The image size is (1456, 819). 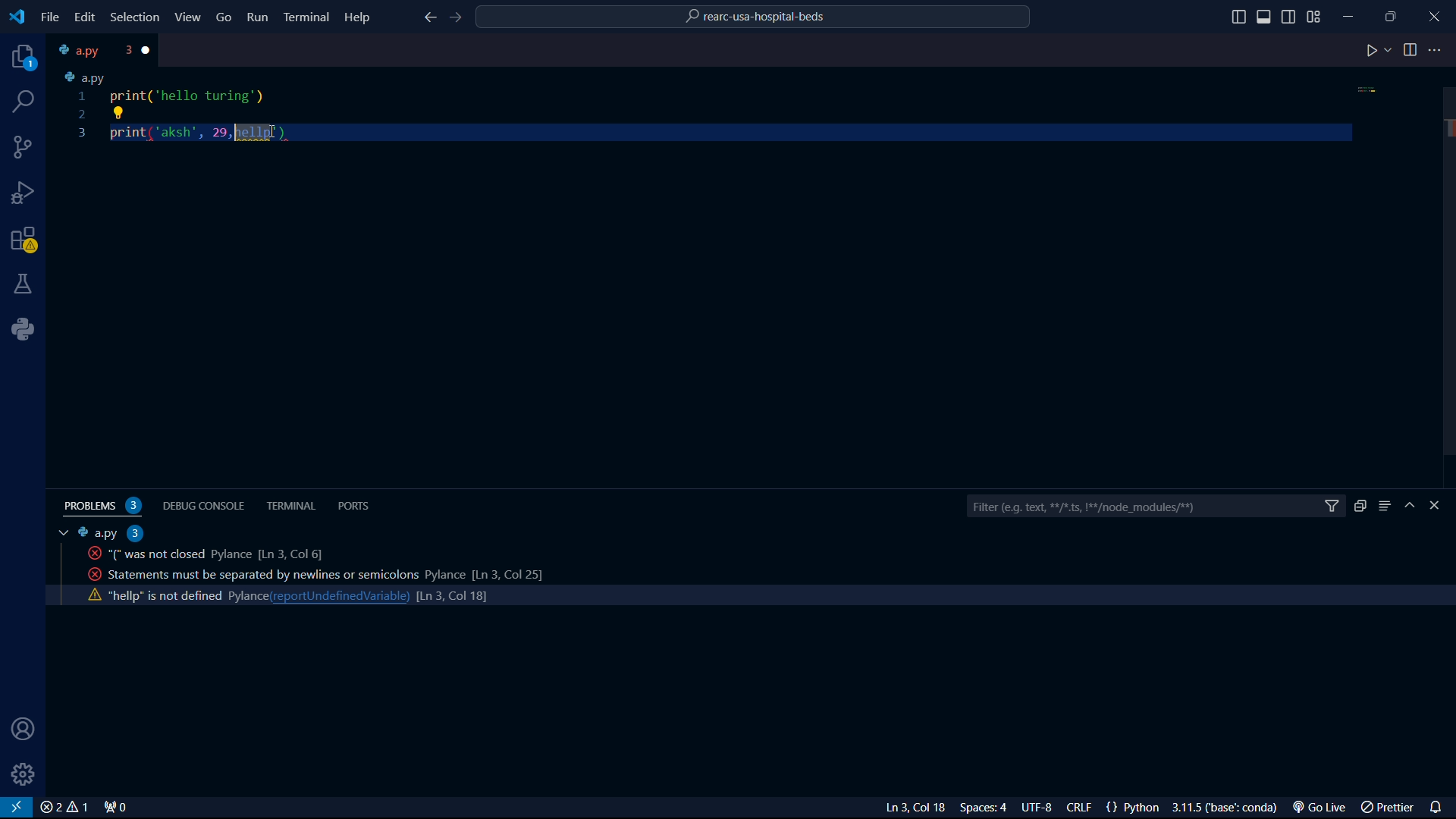 I want to click on UTF-8, so click(x=1043, y=808).